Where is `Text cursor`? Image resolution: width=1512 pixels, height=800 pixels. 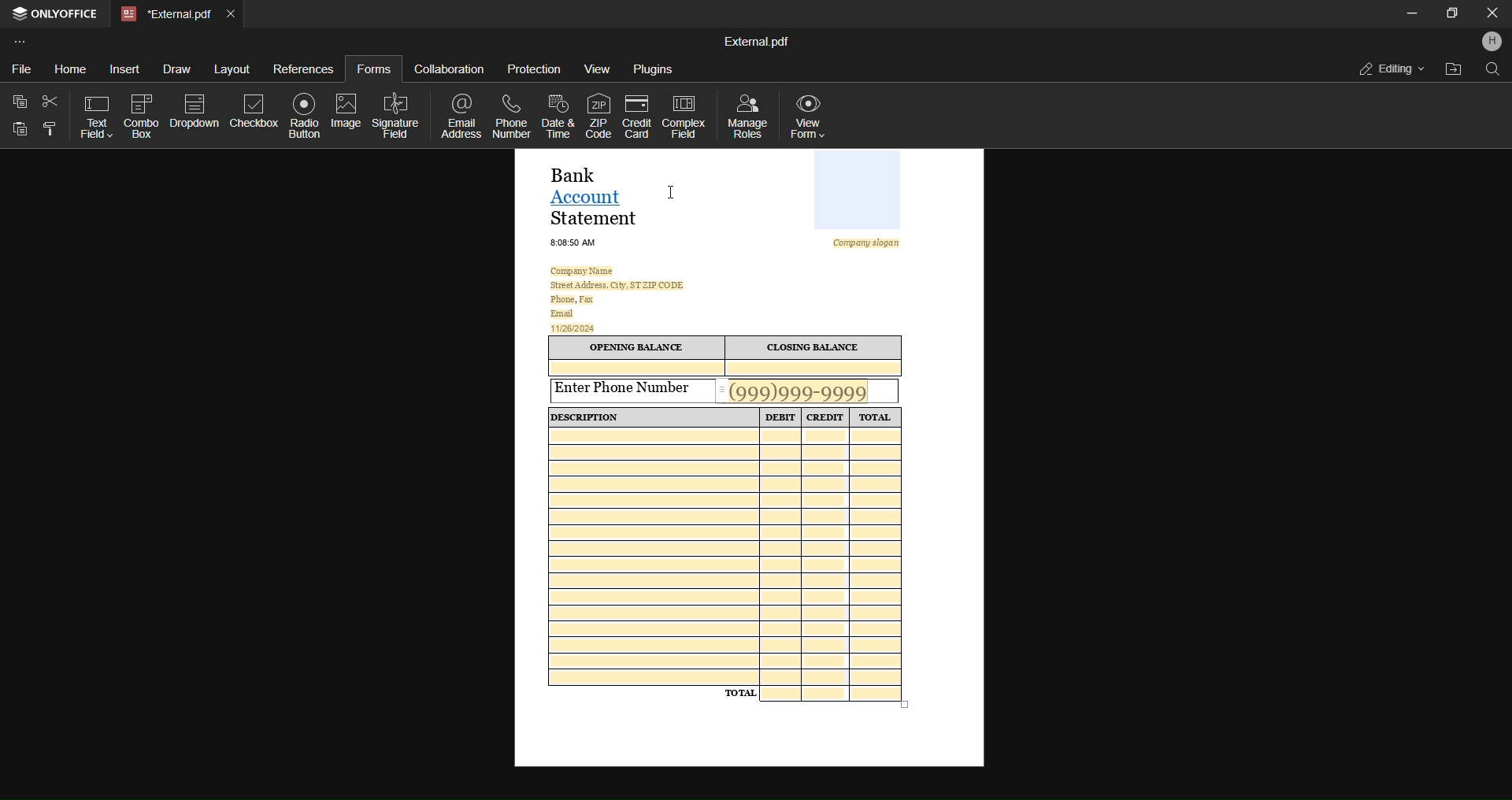 Text cursor is located at coordinates (673, 193).